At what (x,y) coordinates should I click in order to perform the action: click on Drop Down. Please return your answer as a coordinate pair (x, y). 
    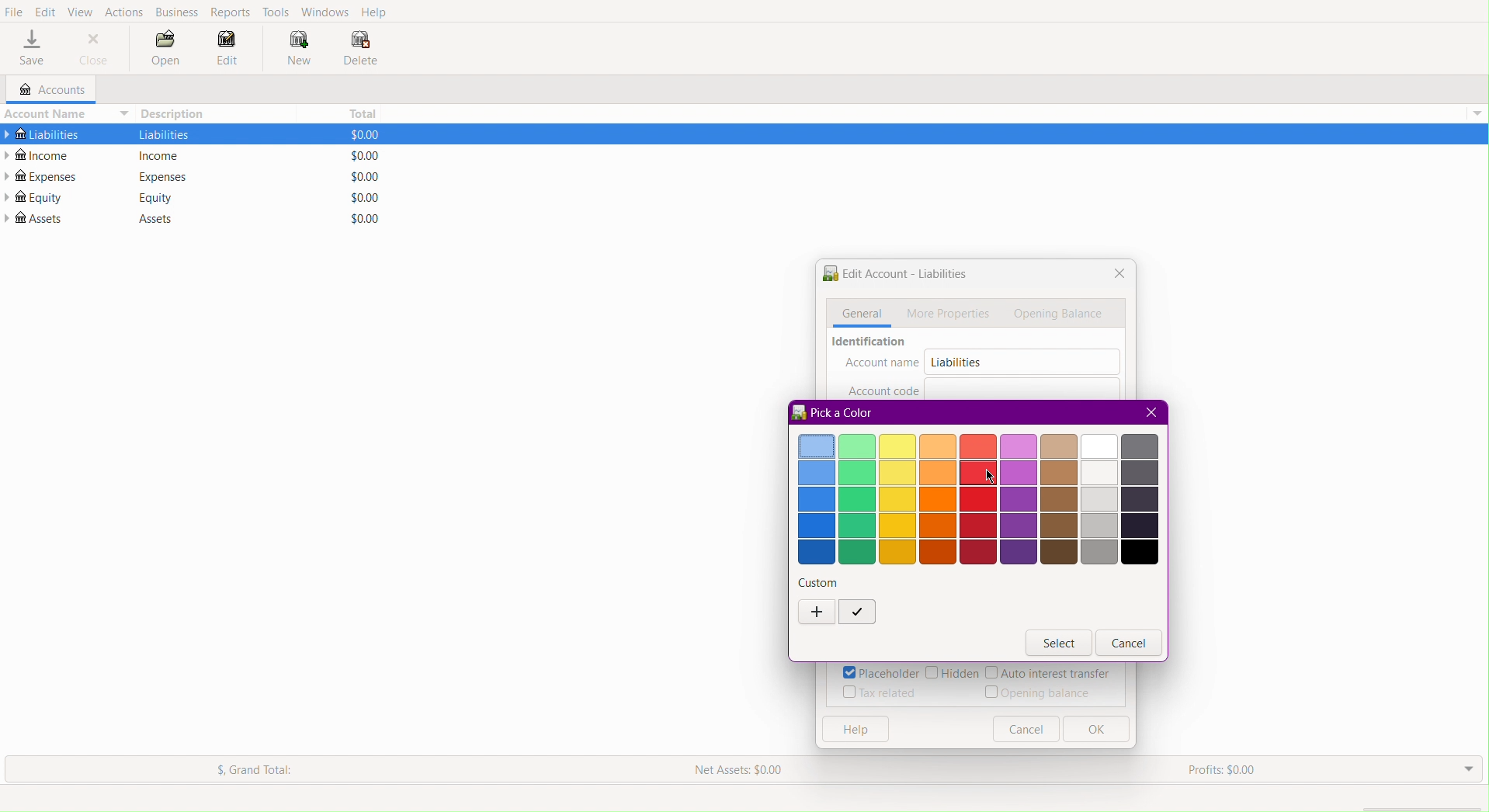
    Looking at the image, I should click on (1466, 769).